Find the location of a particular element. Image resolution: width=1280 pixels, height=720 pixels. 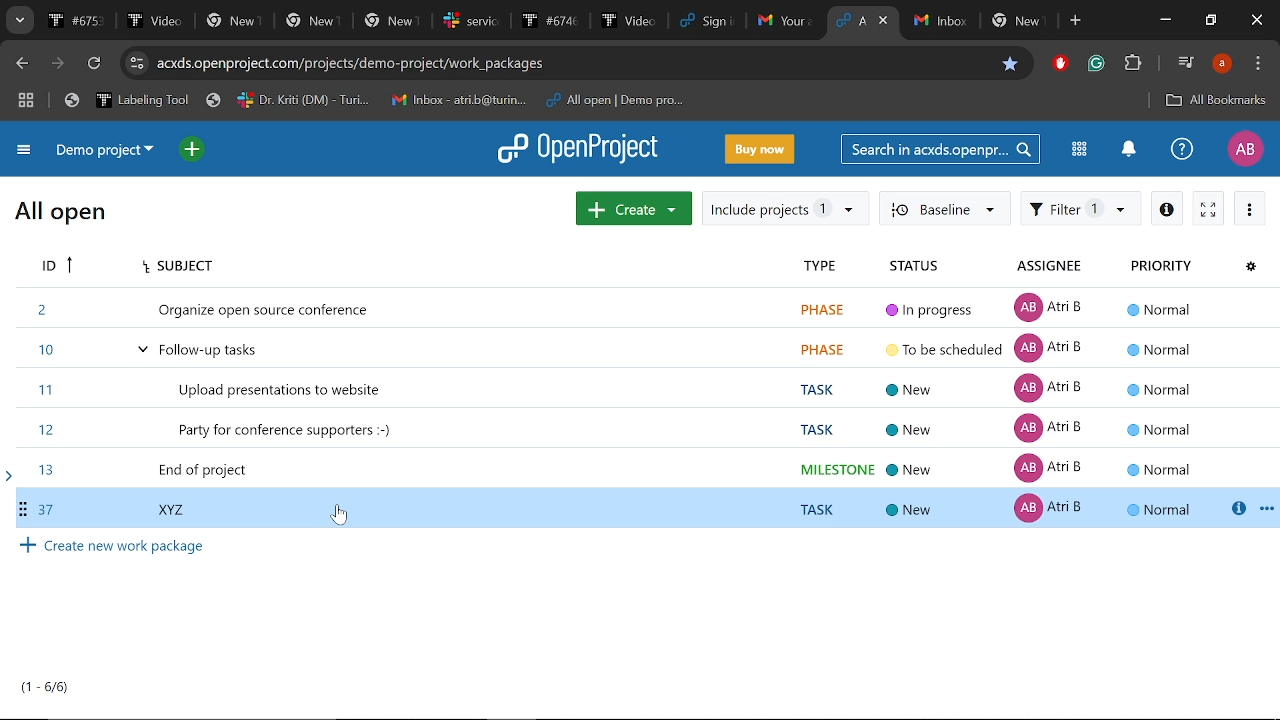

cursor is located at coordinates (346, 520).